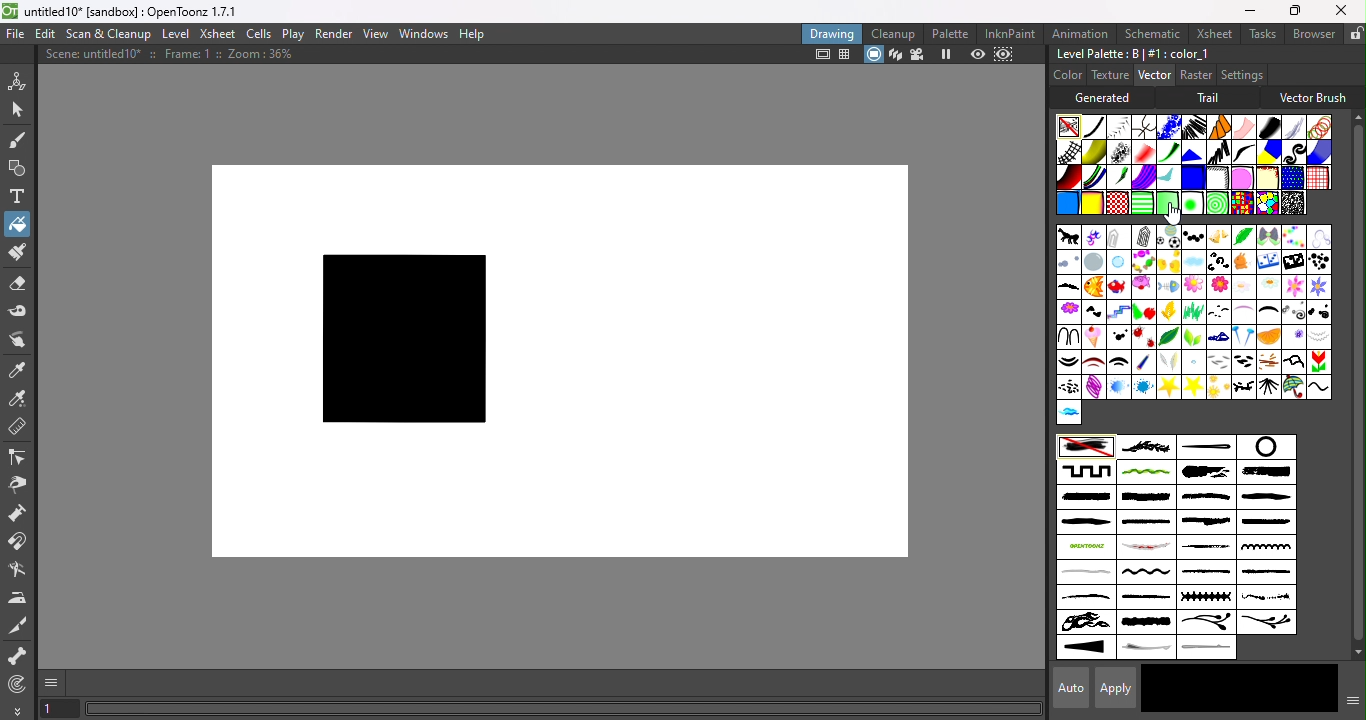 Image resolution: width=1366 pixels, height=720 pixels. I want to click on flow4, so click(1292, 287).